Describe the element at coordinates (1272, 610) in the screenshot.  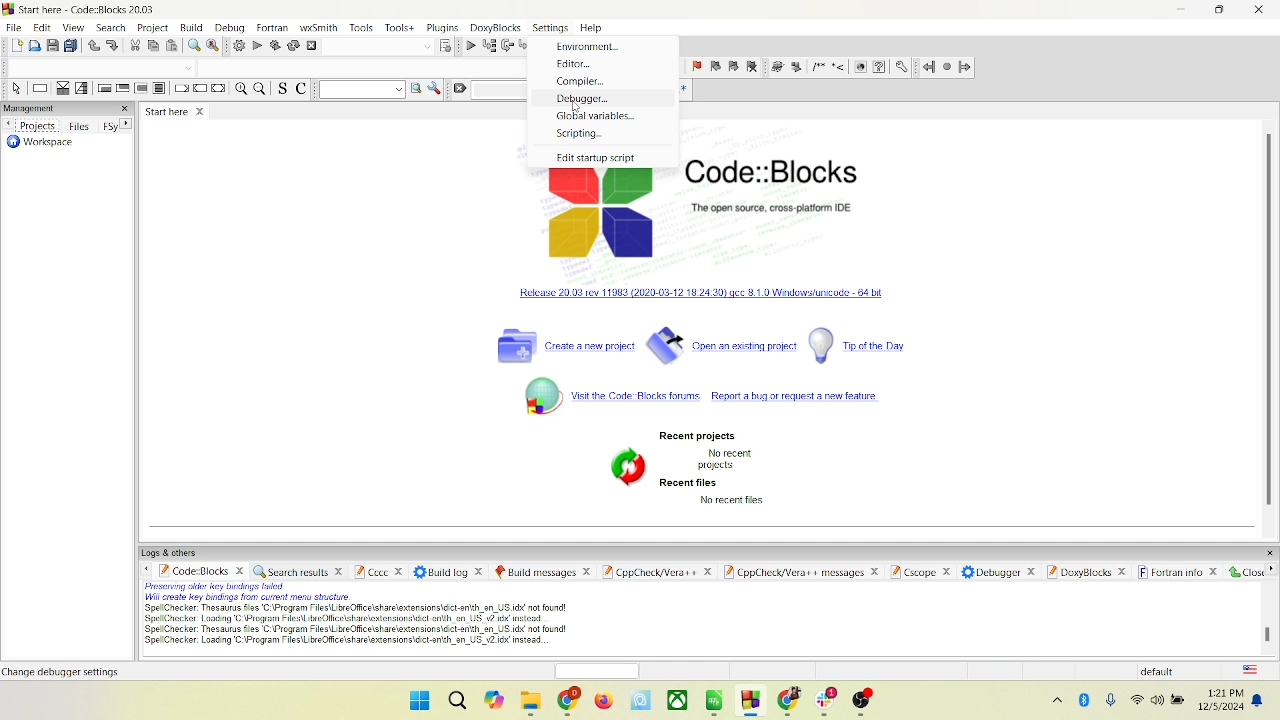
I see `vertical scroll bar` at that location.